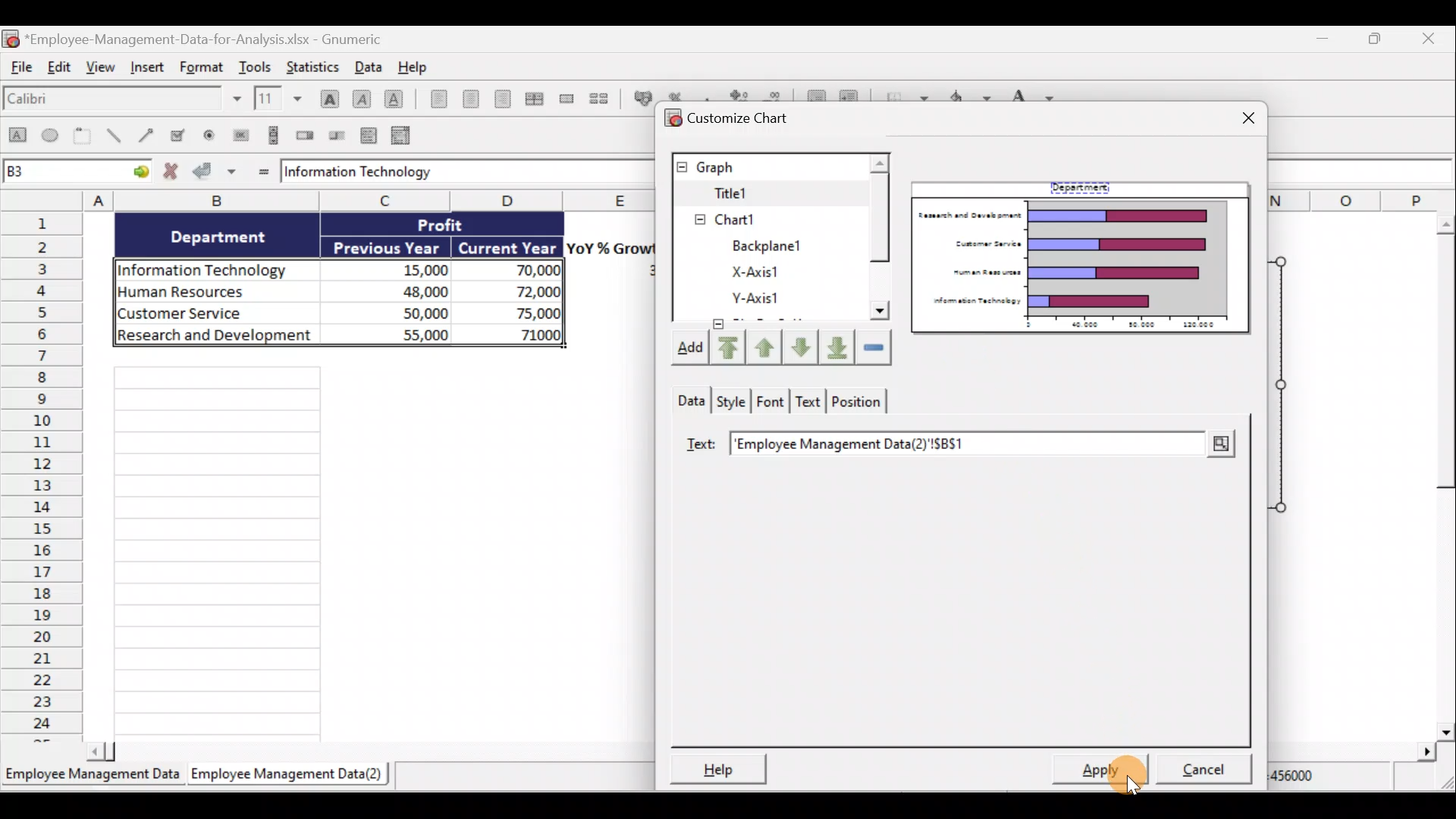 This screenshot has height=819, width=1456. Describe the element at coordinates (362, 97) in the screenshot. I see `Italic` at that location.